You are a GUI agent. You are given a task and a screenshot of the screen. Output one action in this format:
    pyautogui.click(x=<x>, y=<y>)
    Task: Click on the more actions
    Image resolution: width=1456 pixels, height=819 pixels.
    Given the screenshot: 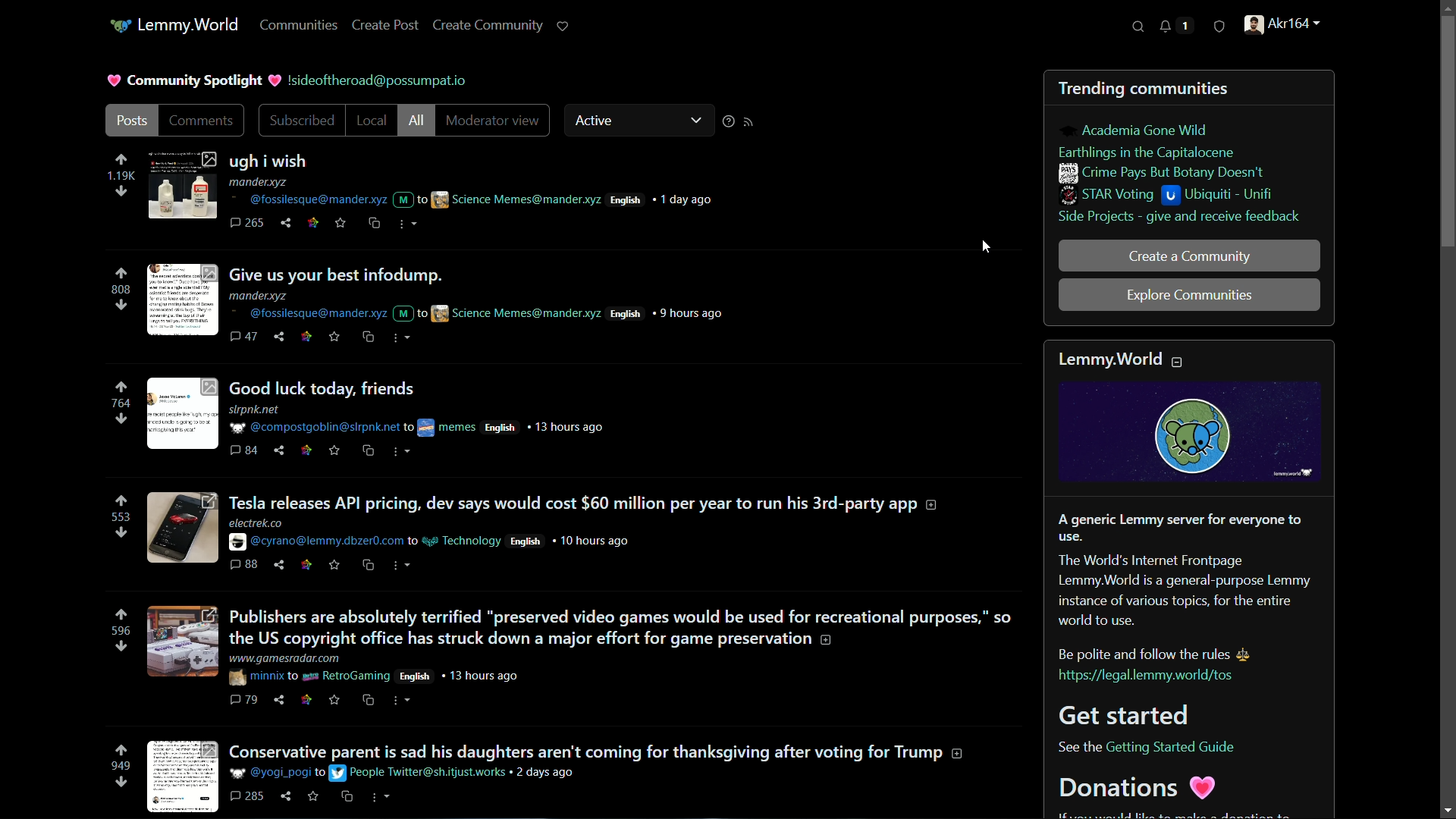 What is the action you would take?
    pyautogui.click(x=406, y=565)
    